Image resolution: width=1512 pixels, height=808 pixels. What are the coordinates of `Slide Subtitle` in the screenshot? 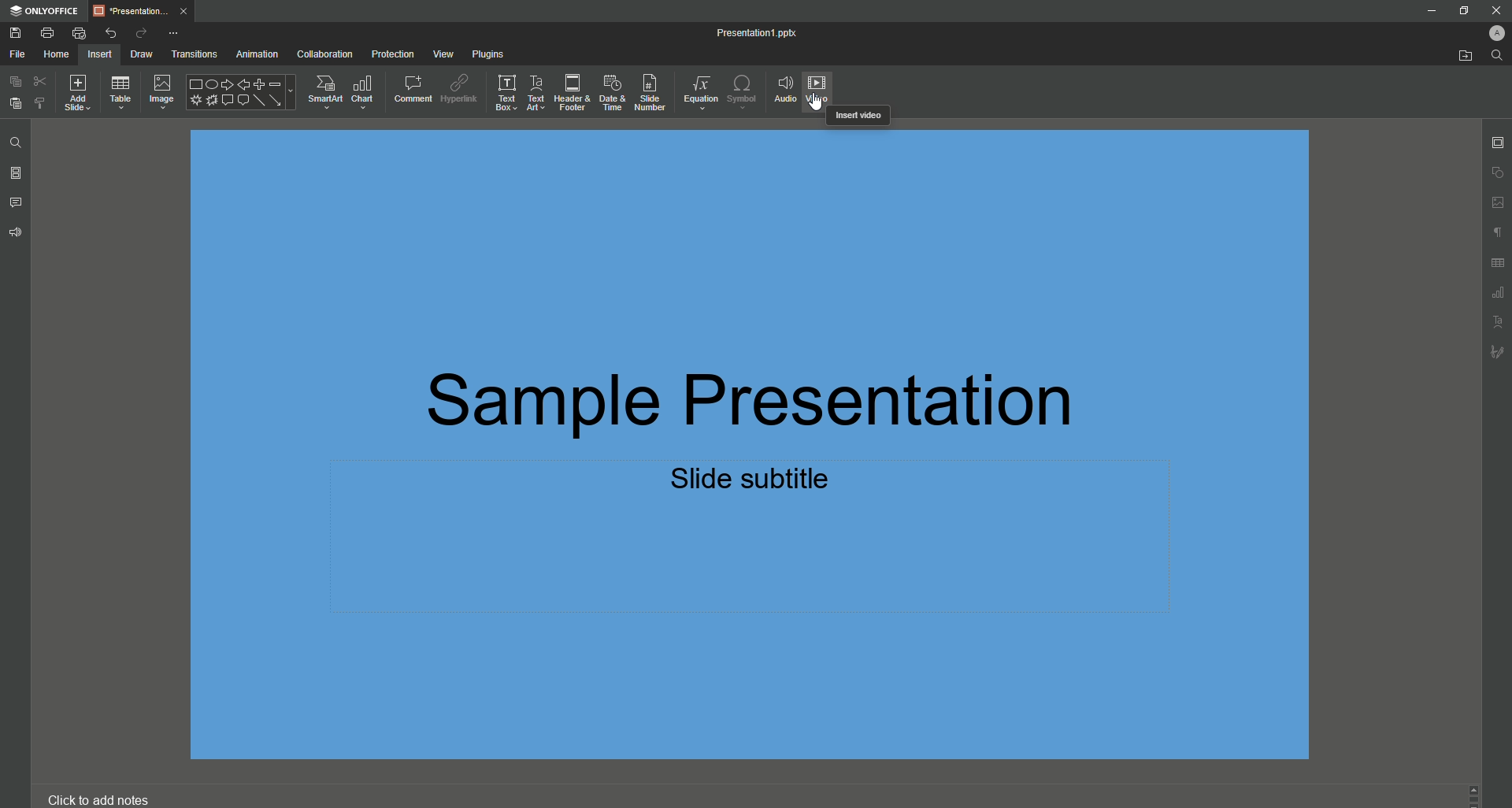 It's located at (754, 482).